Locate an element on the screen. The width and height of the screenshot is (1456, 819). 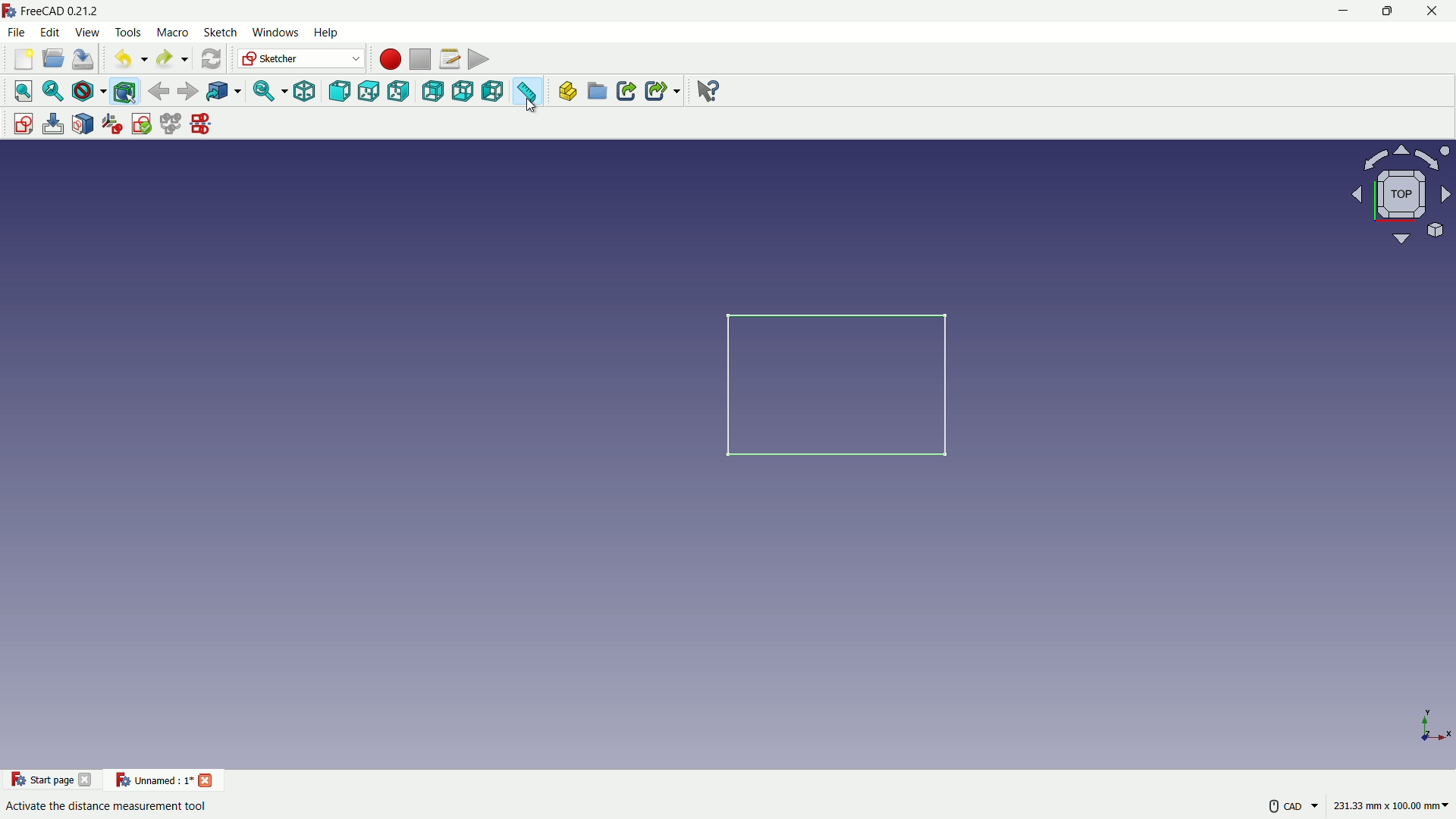
cursor is located at coordinates (526, 106).